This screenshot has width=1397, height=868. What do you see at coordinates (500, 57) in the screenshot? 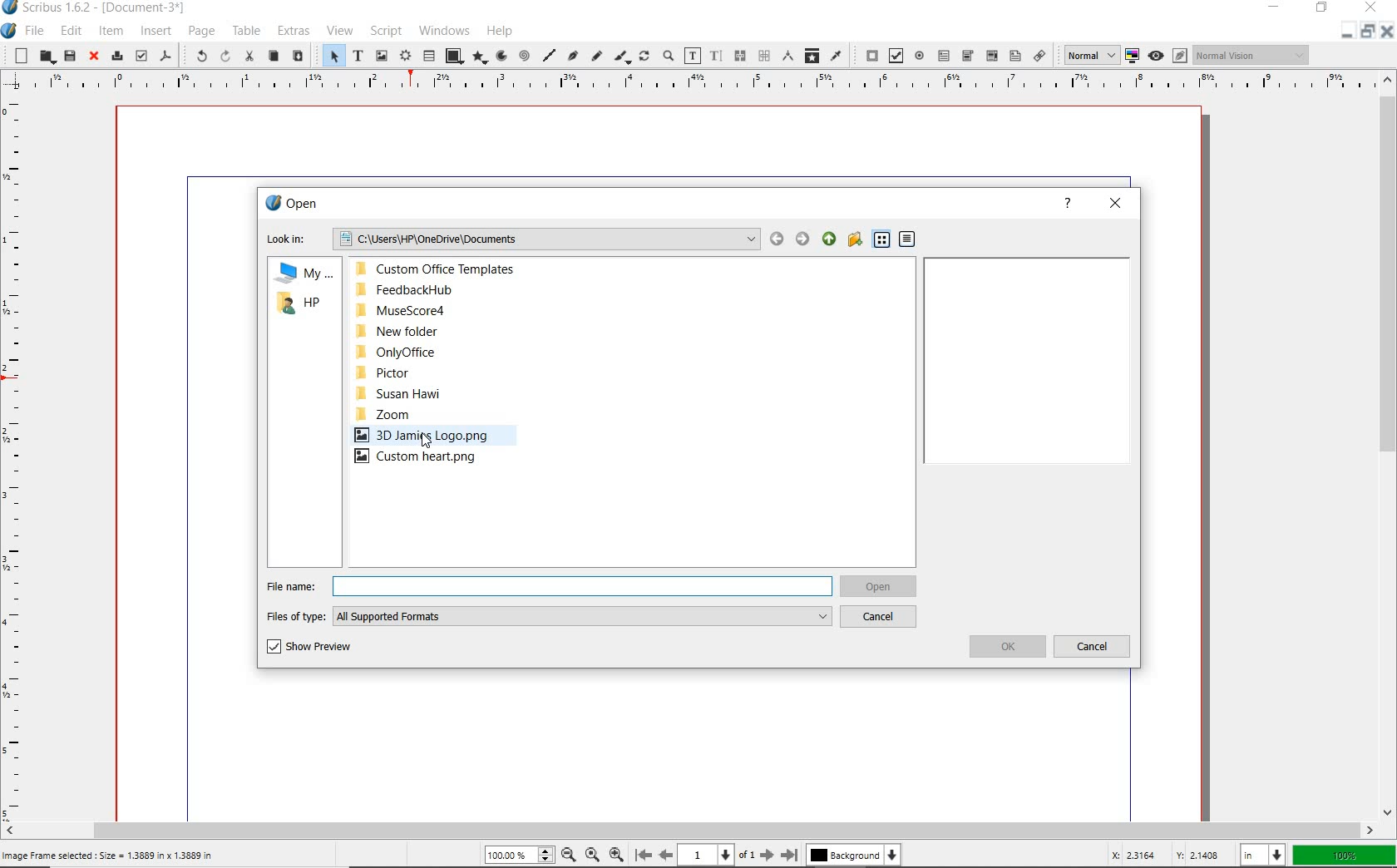
I see `arc` at bounding box center [500, 57].